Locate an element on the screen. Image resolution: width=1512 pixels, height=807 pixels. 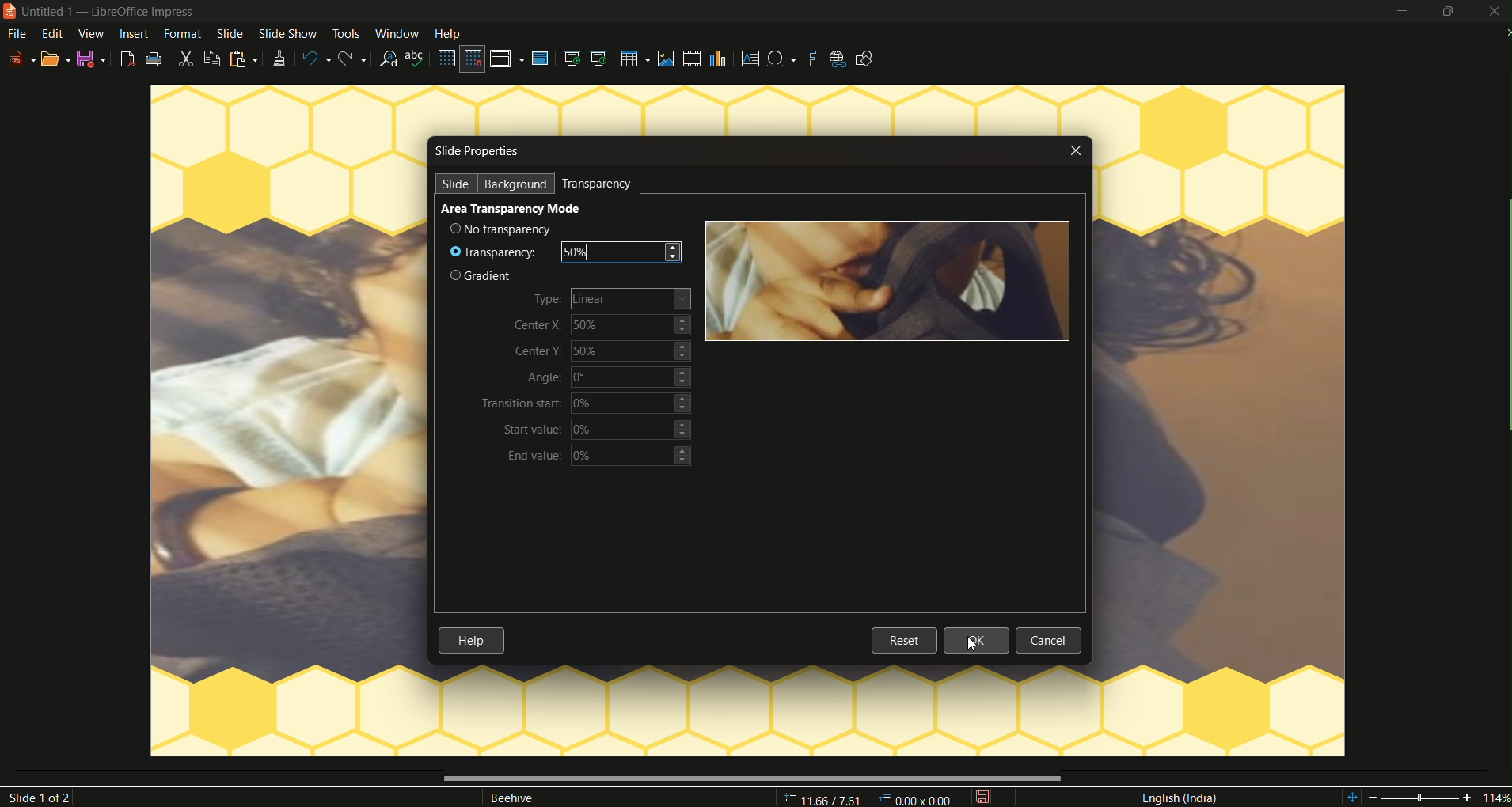
paste is located at coordinates (243, 60).